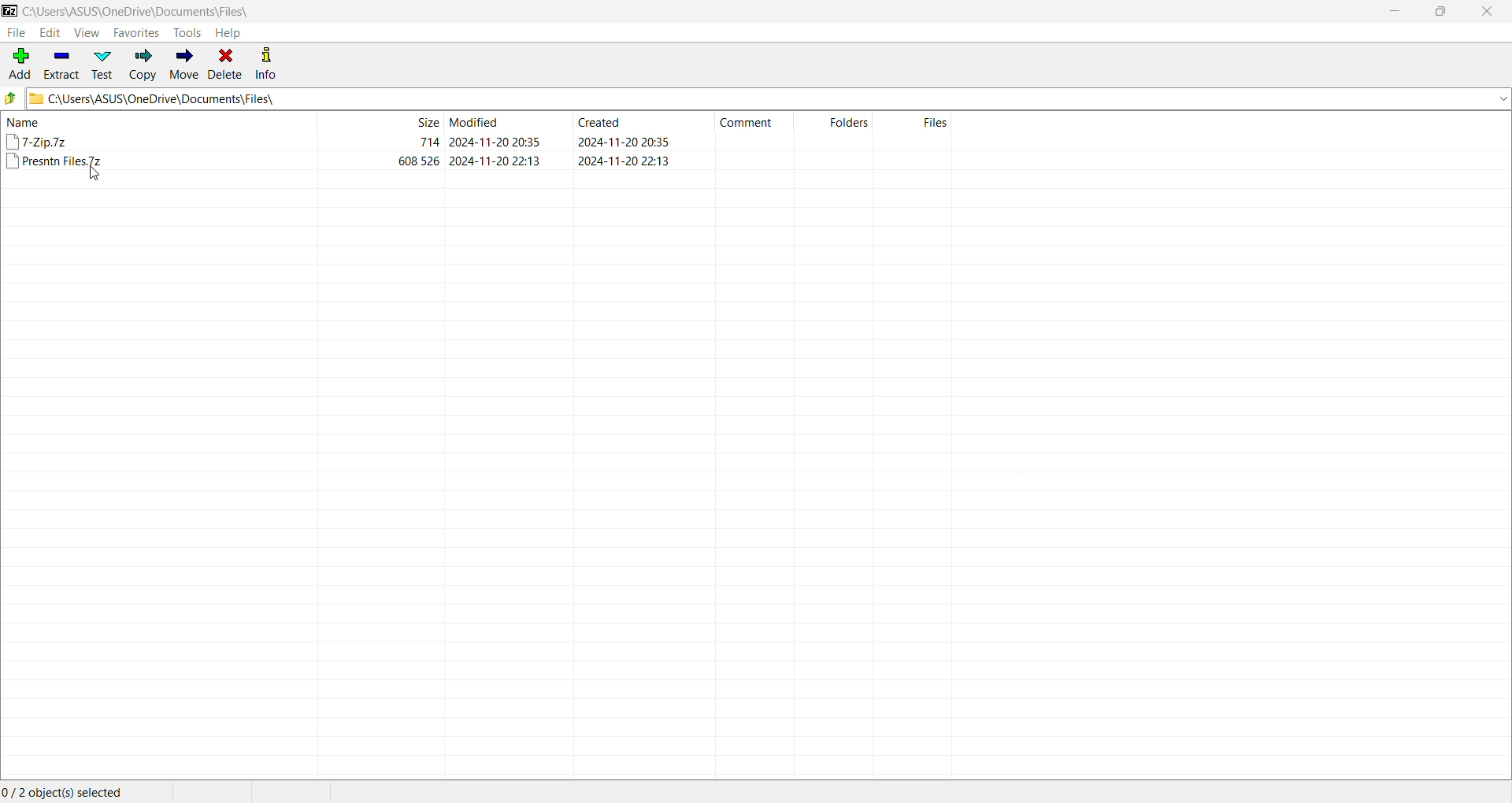 Image resolution: width=1512 pixels, height=803 pixels. Describe the element at coordinates (105, 65) in the screenshot. I see `Test` at that location.